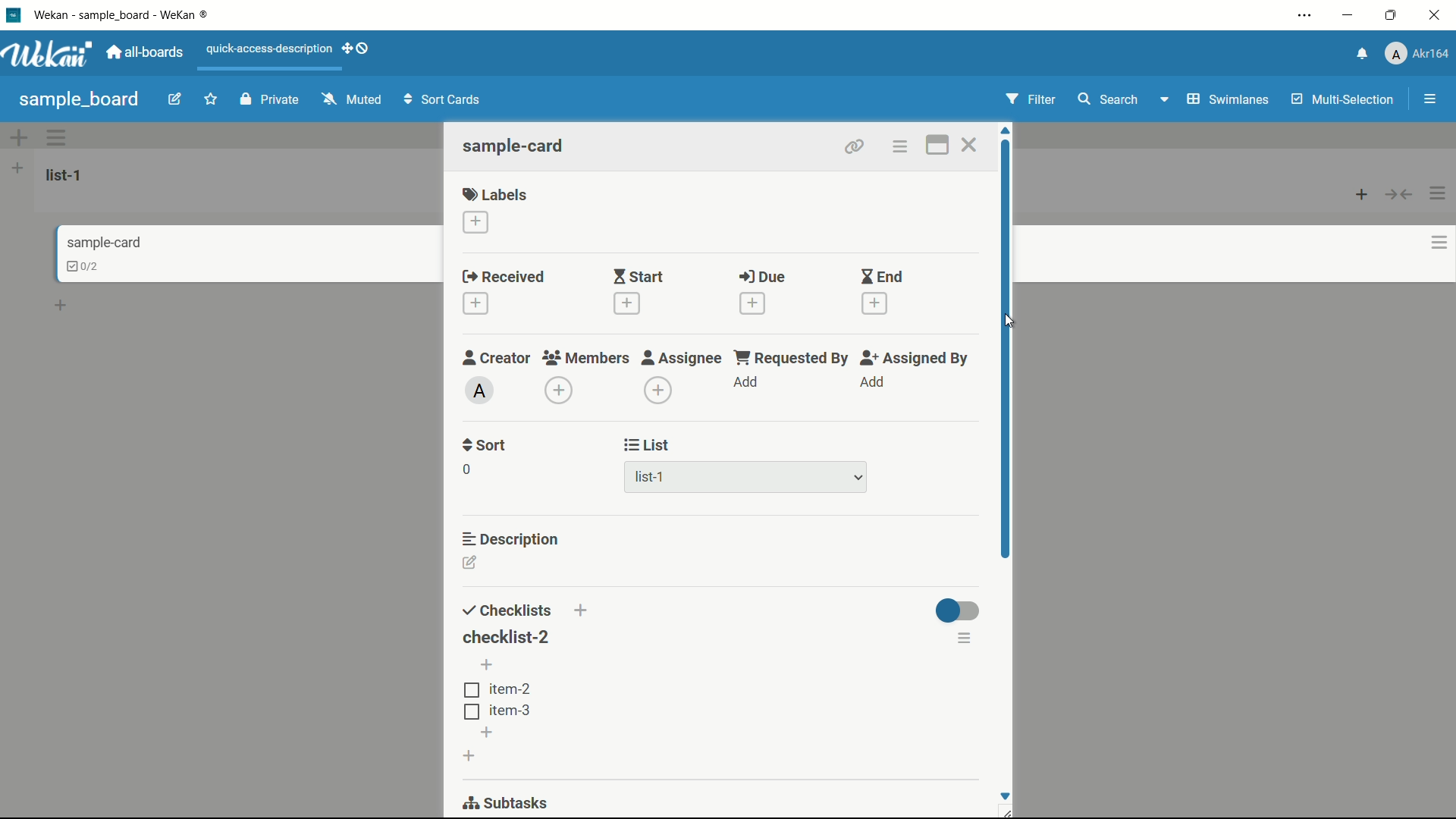  Describe the element at coordinates (13, 16) in the screenshot. I see `app icon` at that location.